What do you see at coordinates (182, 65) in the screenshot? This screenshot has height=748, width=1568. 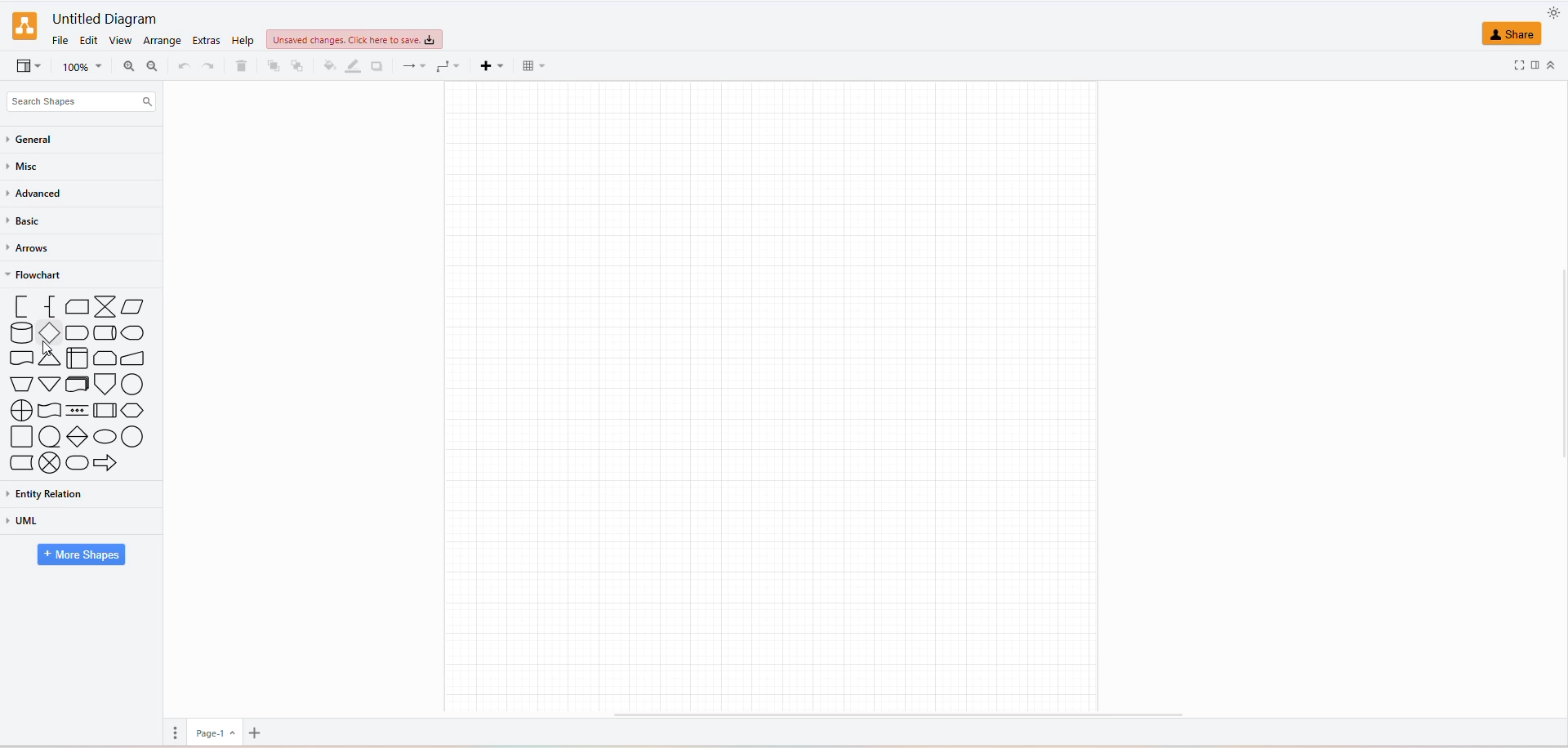 I see `REDO` at bounding box center [182, 65].